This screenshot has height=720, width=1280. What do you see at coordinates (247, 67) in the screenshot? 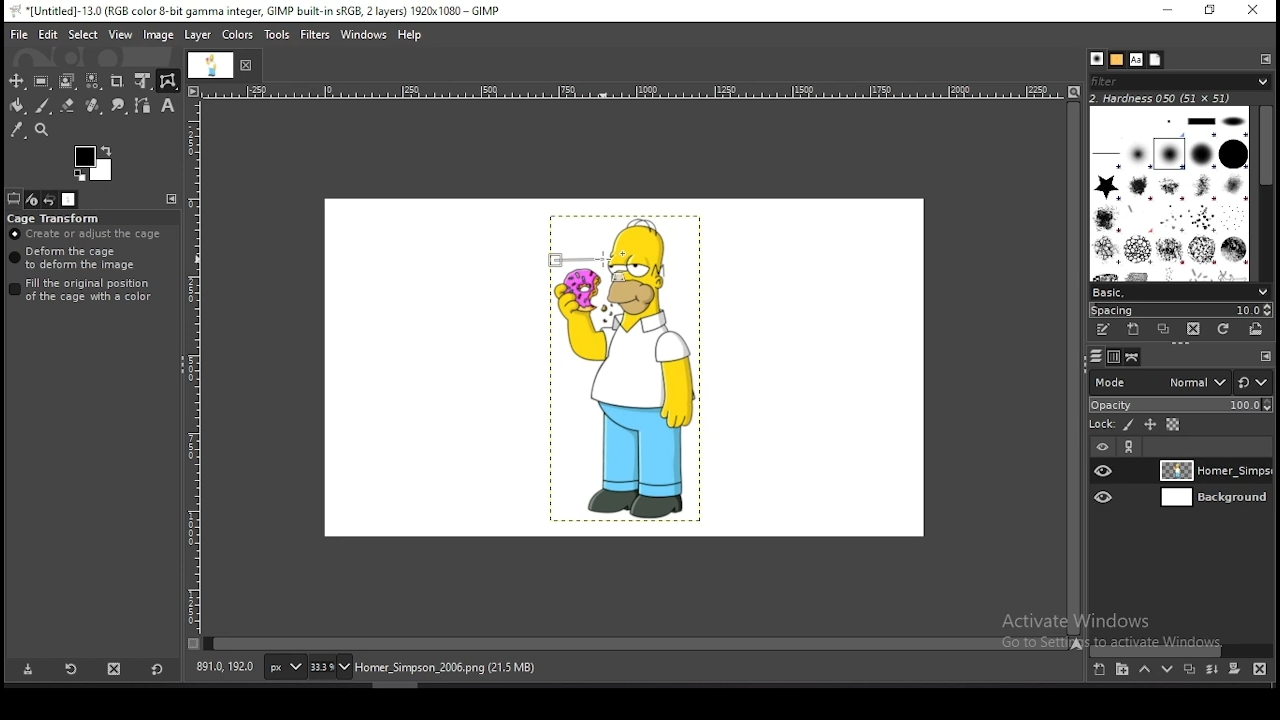
I see `close` at bounding box center [247, 67].